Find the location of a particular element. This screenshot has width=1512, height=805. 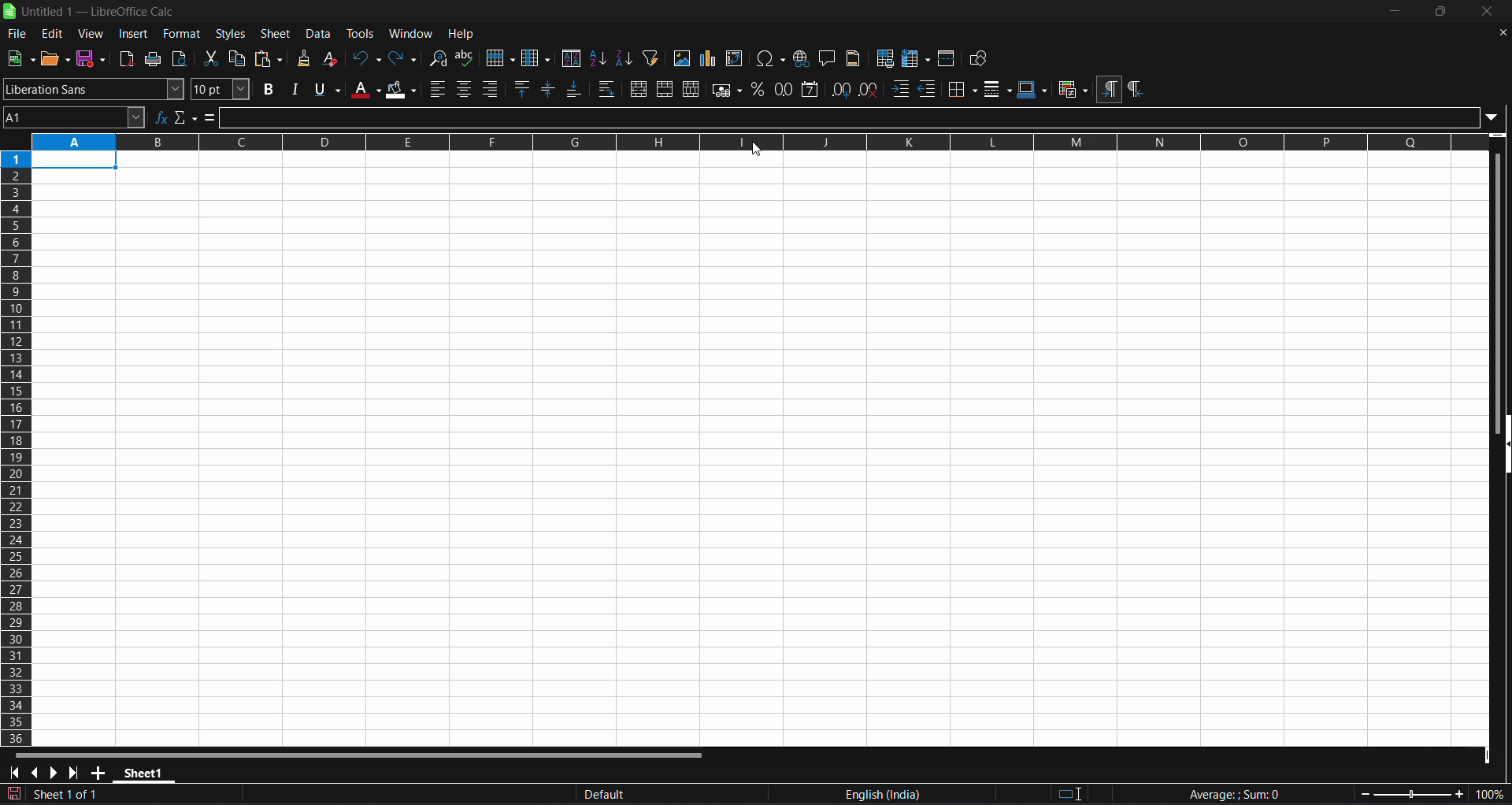

find and replace is located at coordinates (438, 58).